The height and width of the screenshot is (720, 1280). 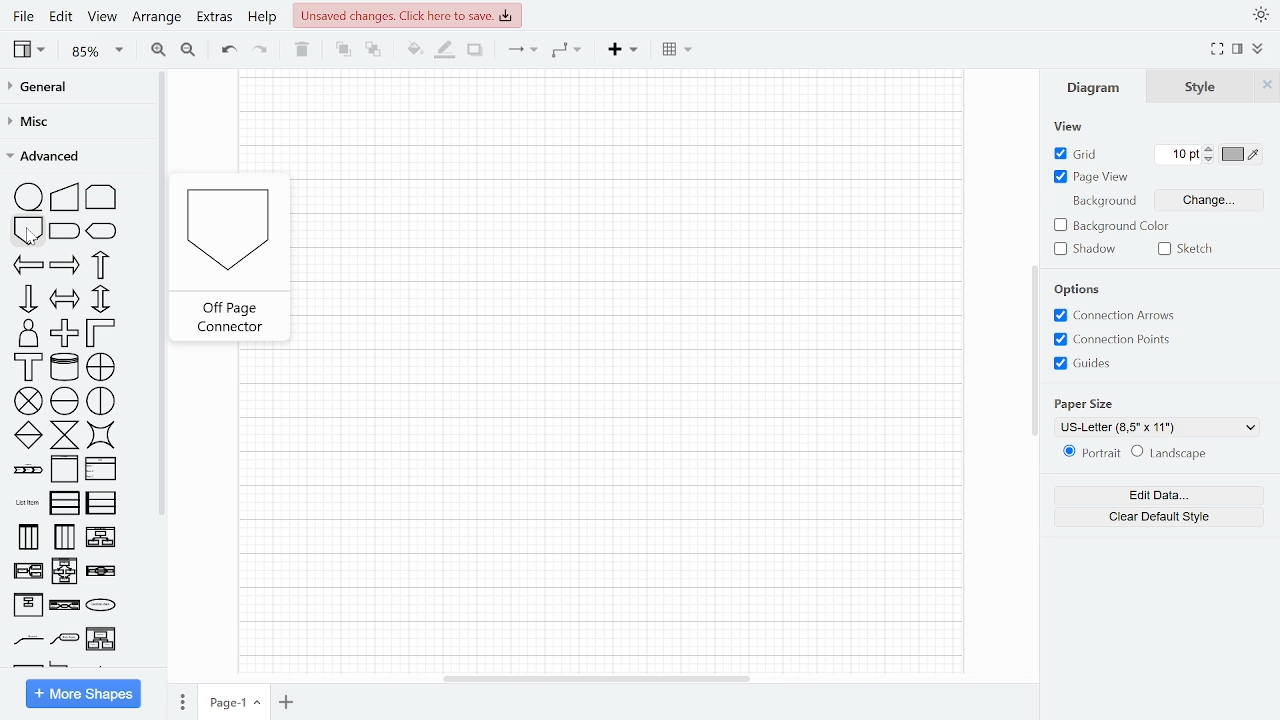 What do you see at coordinates (74, 122) in the screenshot?
I see `Misc` at bounding box center [74, 122].